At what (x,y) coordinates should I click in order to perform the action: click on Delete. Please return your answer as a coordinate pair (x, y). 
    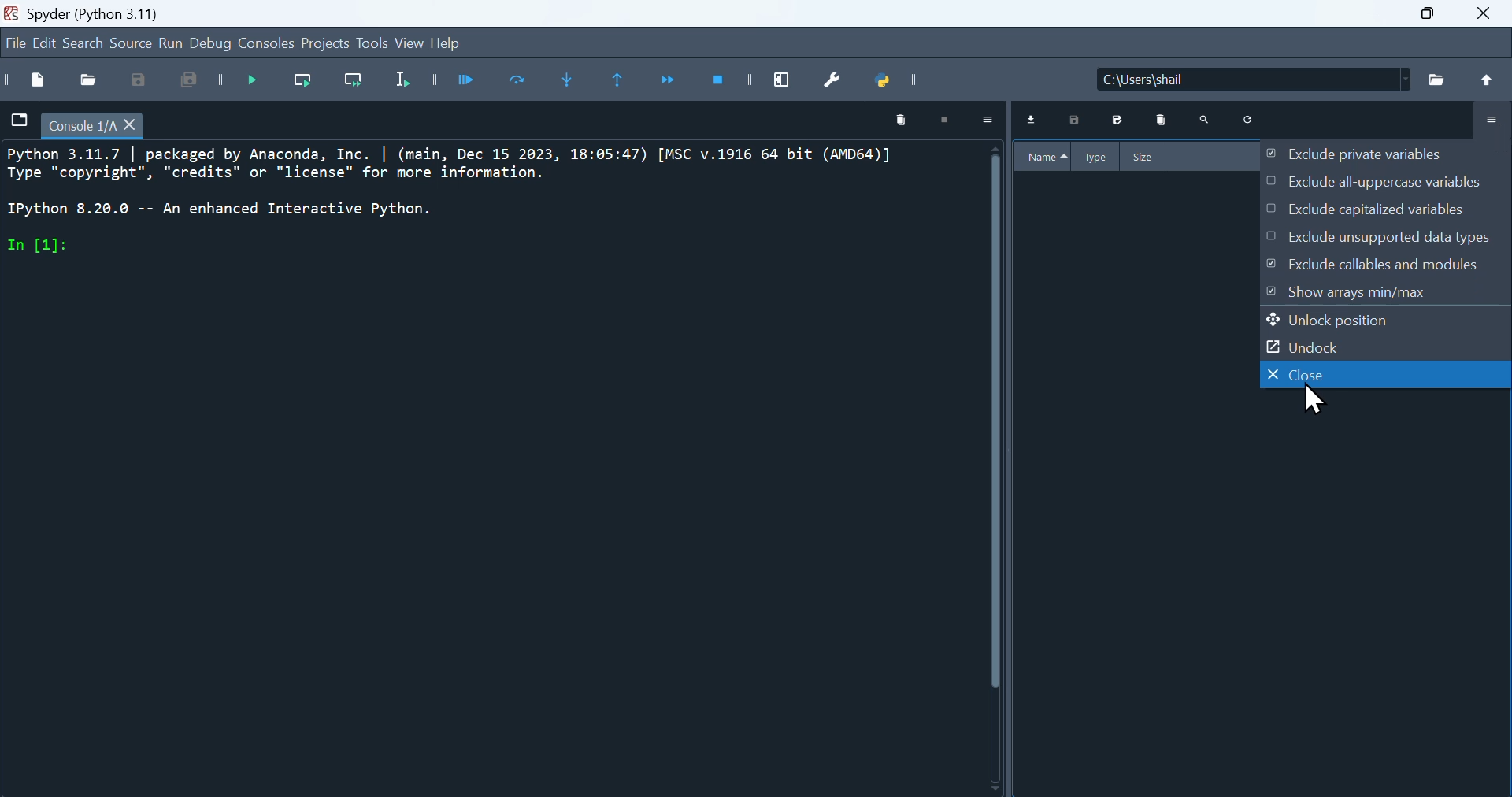
    Looking at the image, I should click on (1159, 123).